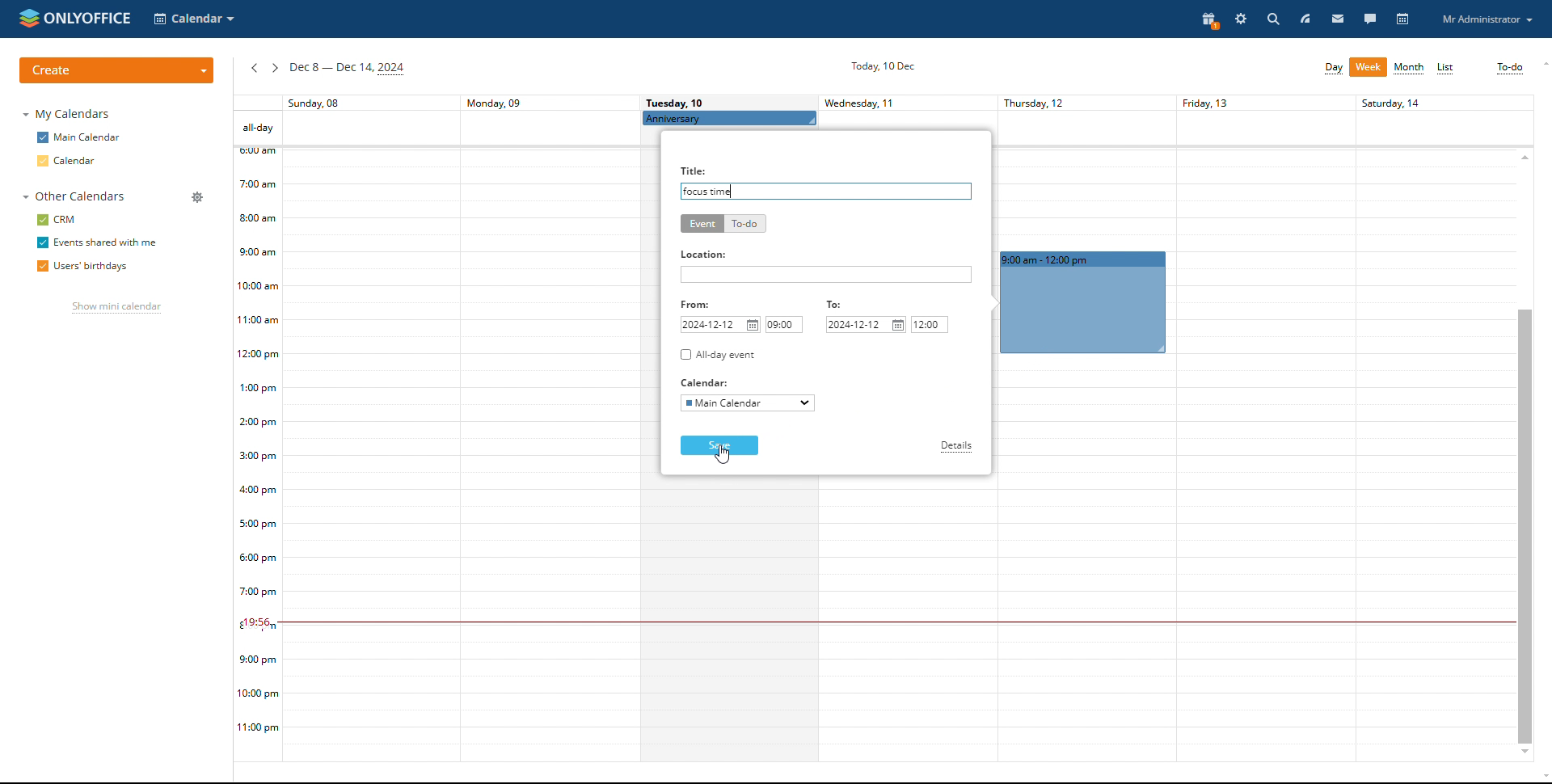 The image size is (1552, 784). What do you see at coordinates (1434, 425) in the screenshot?
I see `` at bounding box center [1434, 425].